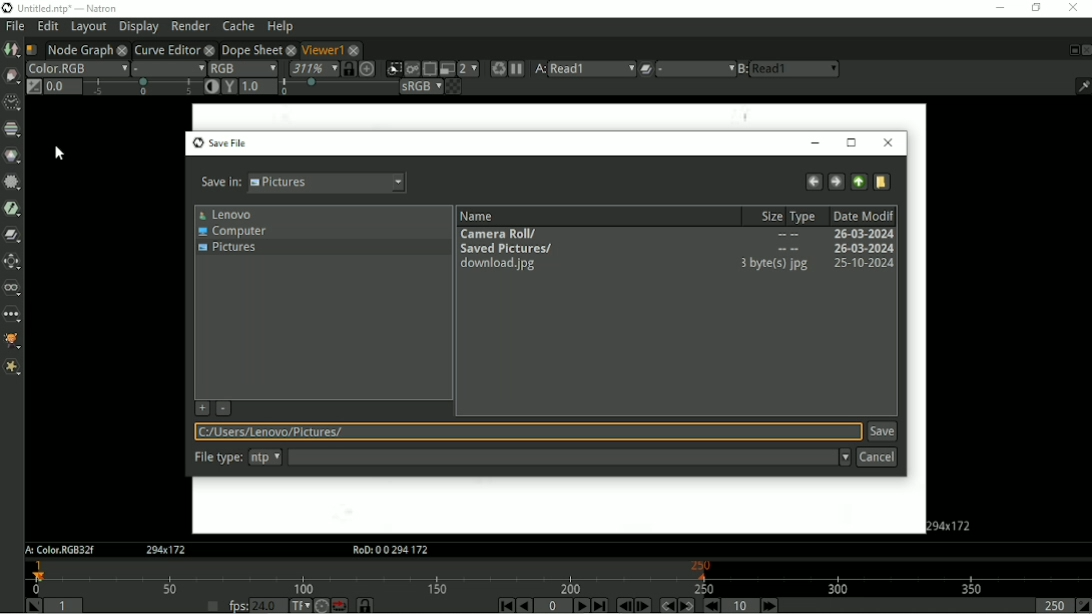  Describe the element at coordinates (804, 214) in the screenshot. I see `Type` at that location.